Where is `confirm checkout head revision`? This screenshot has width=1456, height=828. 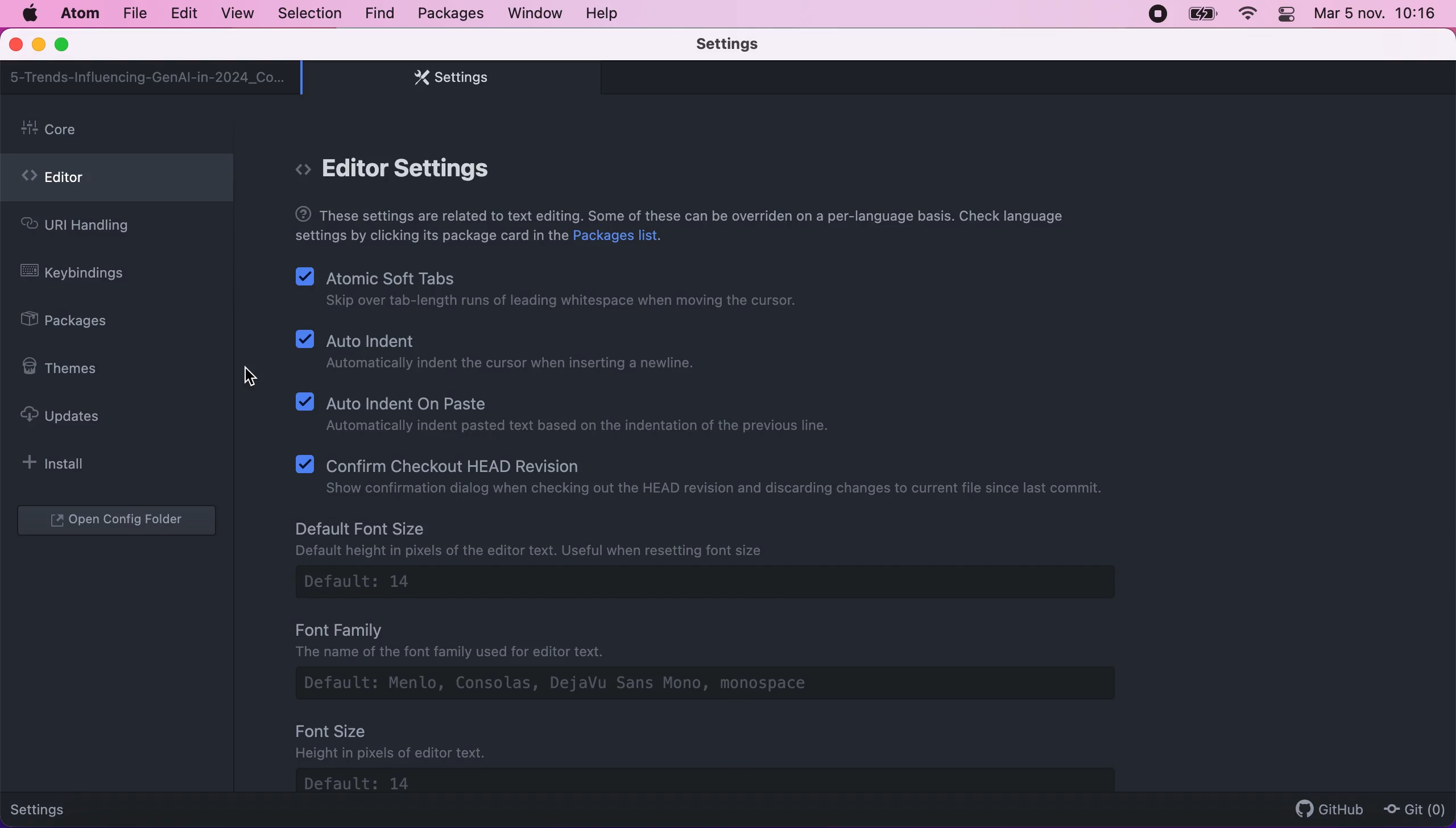
confirm checkout head revision is located at coordinates (707, 474).